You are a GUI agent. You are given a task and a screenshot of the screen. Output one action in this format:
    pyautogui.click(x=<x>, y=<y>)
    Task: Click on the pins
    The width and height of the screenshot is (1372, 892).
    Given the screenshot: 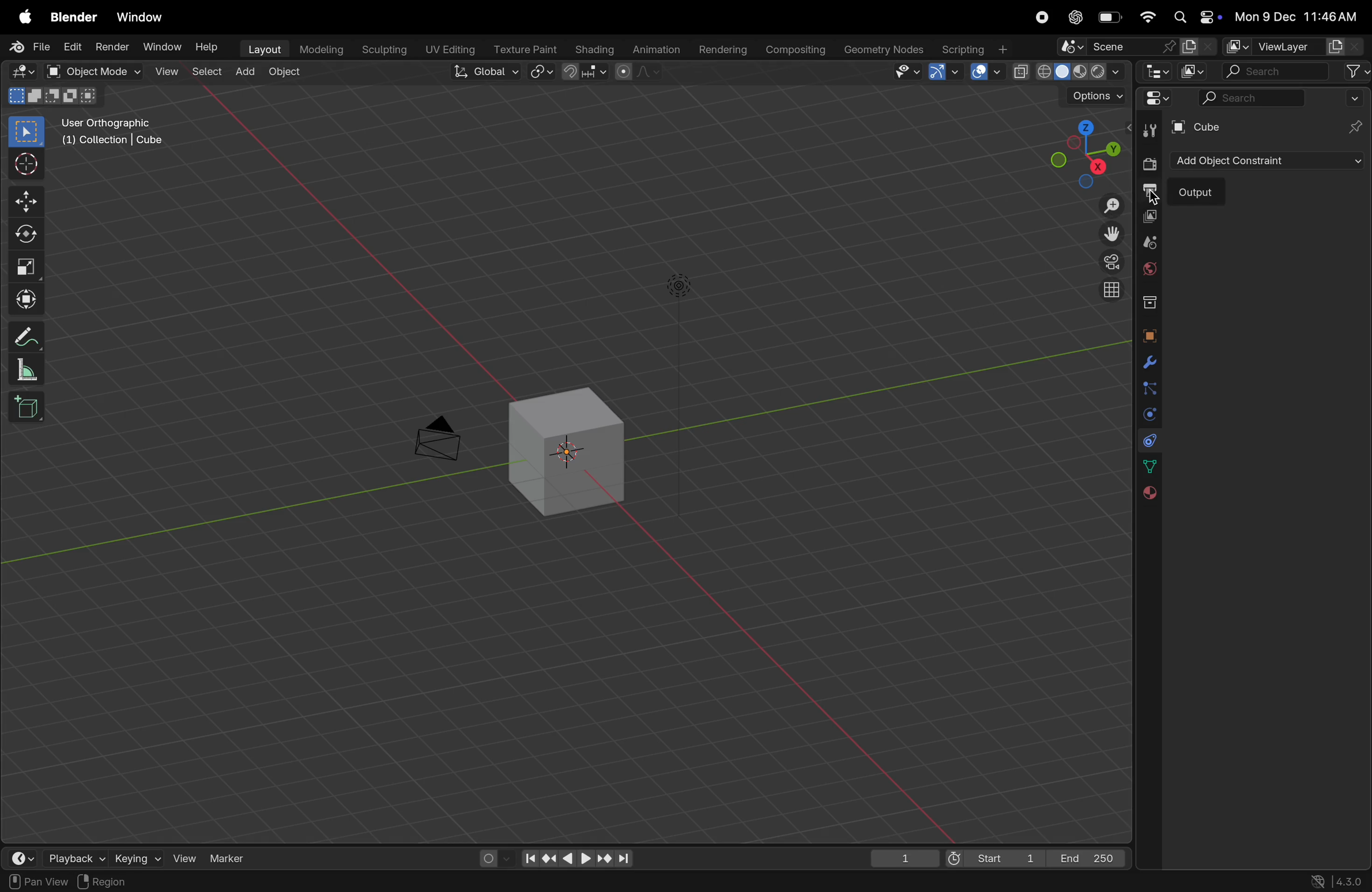 What is the action you would take?
    pyautogui.click(x=1353, y=116)
    